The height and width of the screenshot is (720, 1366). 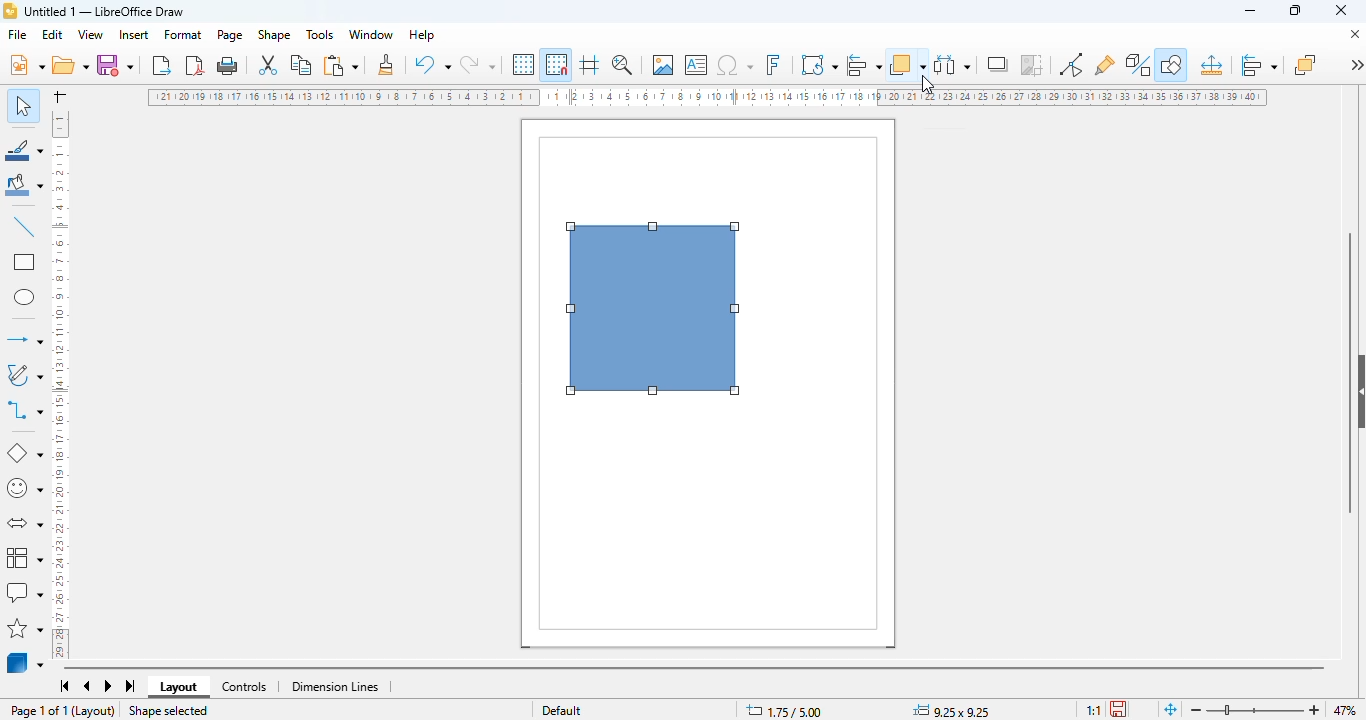 I want to click on print, so click(x=227, y=66).